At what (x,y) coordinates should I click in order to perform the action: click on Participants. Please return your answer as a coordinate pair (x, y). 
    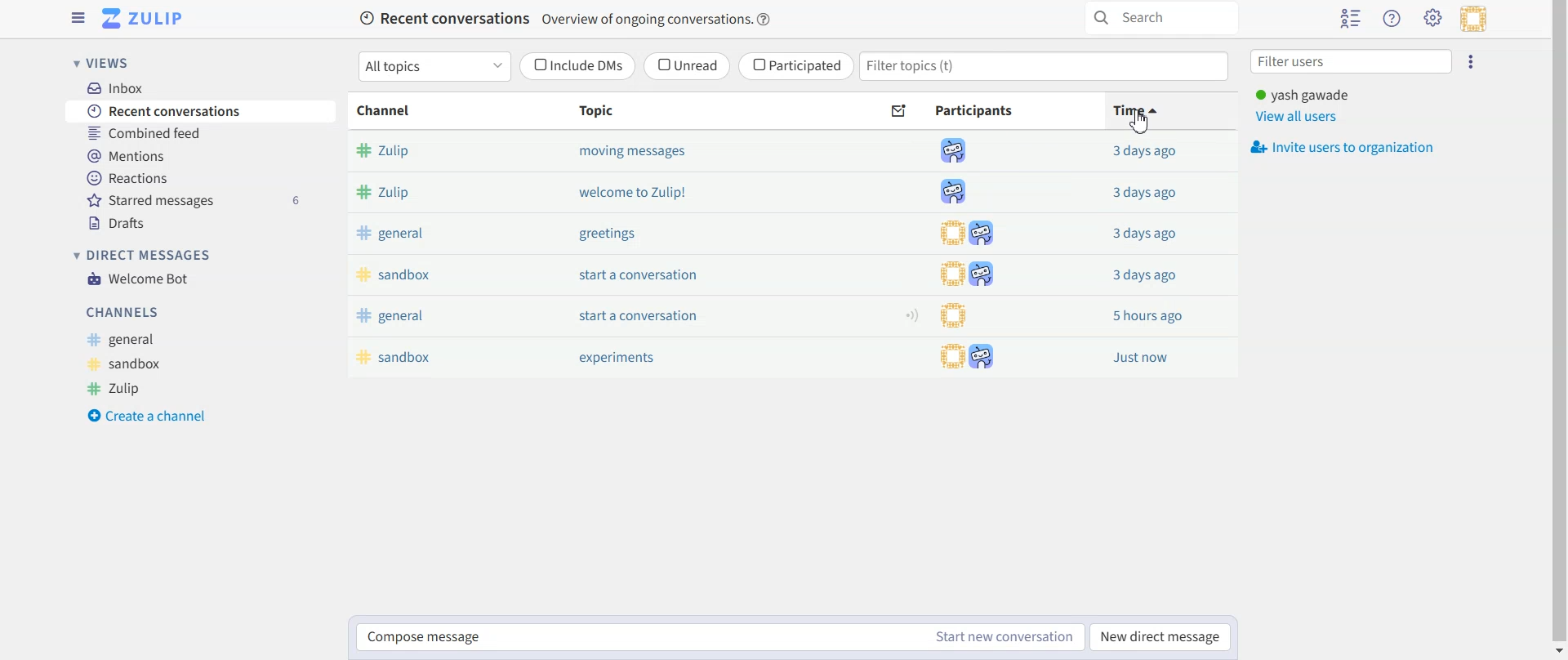
    Looking at the image, I should click on (992, 111).